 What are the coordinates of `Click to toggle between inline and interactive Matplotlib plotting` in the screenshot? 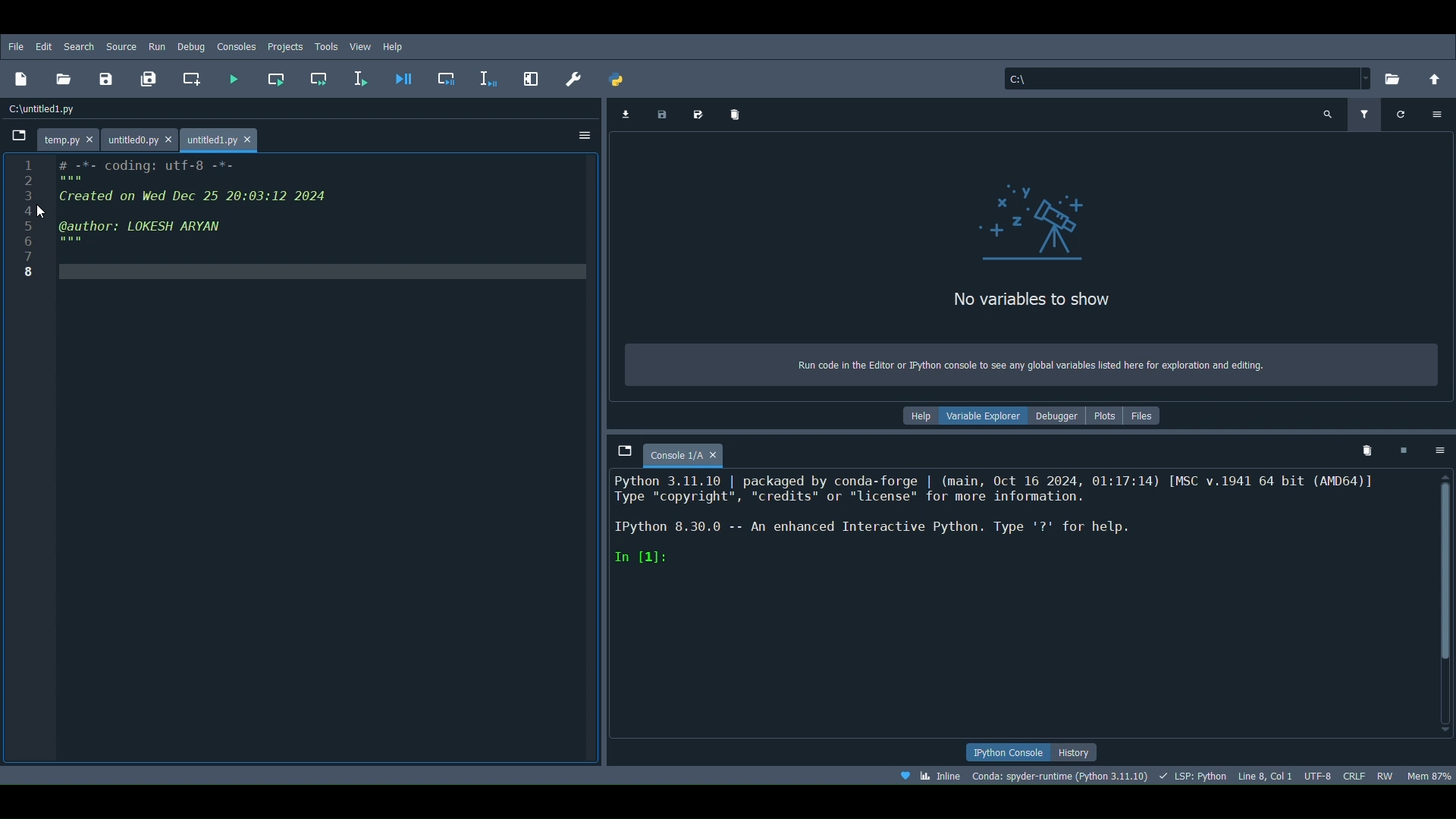 It's located at (929, 776).